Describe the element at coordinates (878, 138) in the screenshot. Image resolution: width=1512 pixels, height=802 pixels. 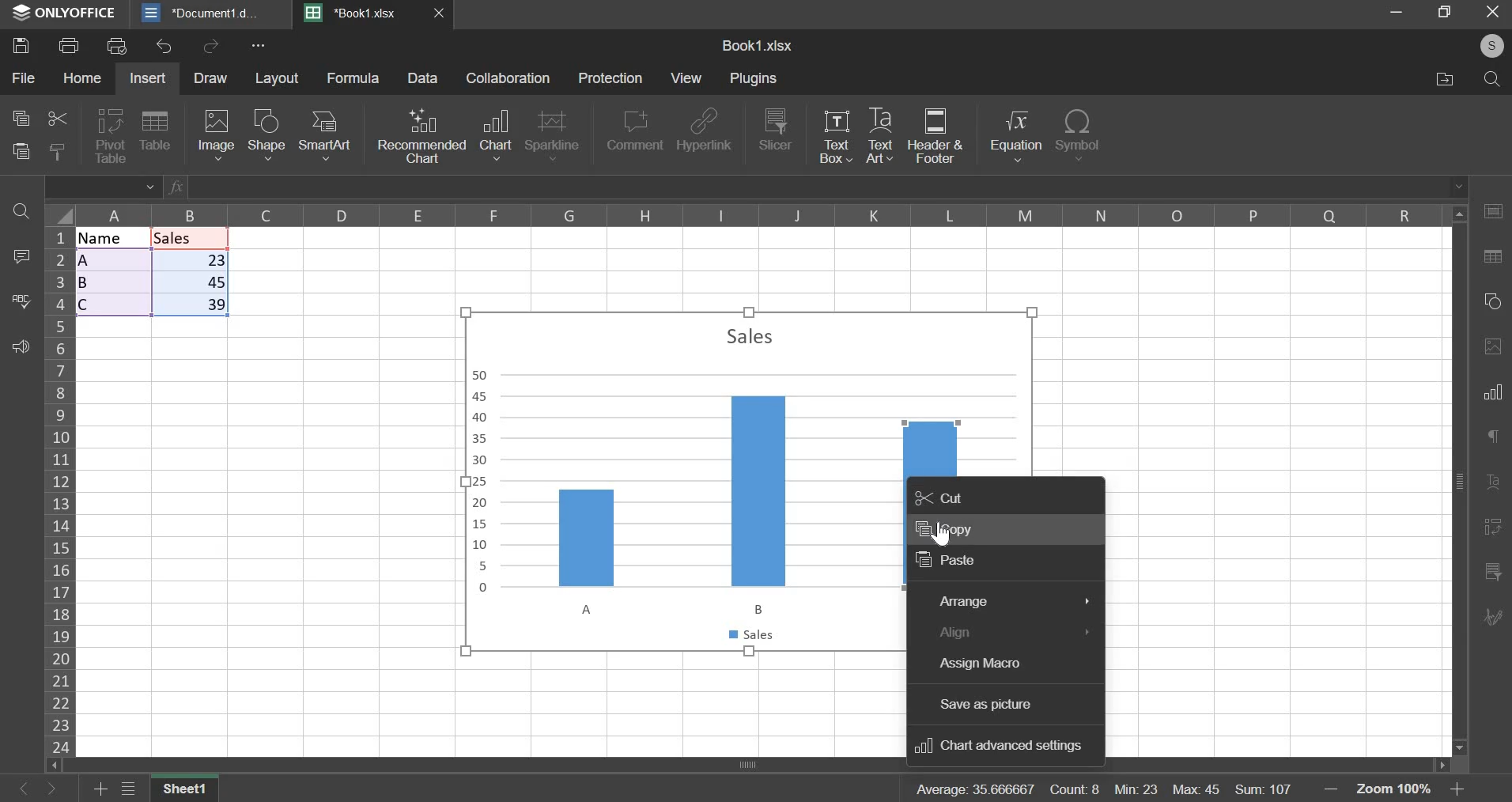
I see `text art` at that location.